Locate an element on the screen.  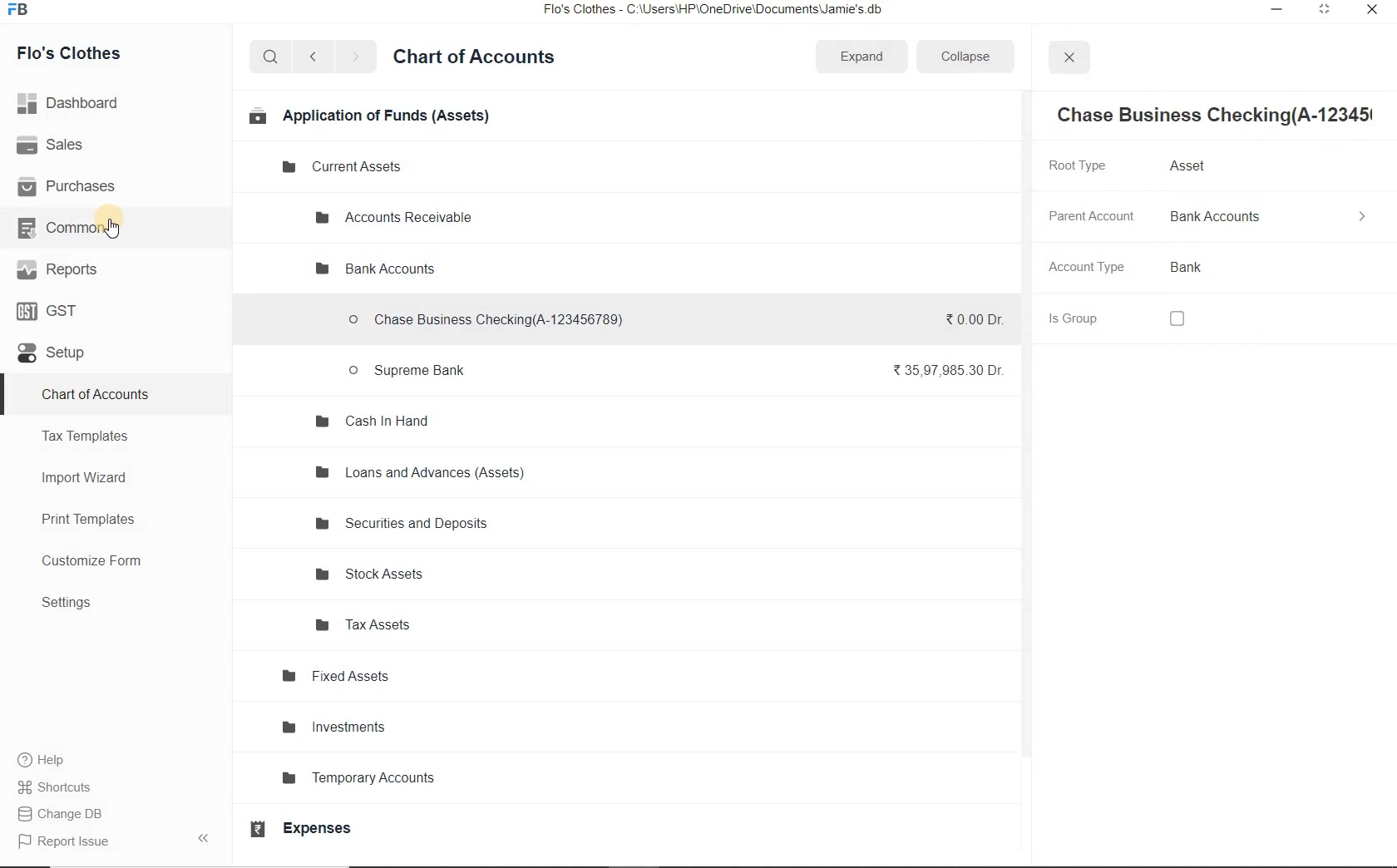
Fixed Assets is located at coordinates (357, 674).